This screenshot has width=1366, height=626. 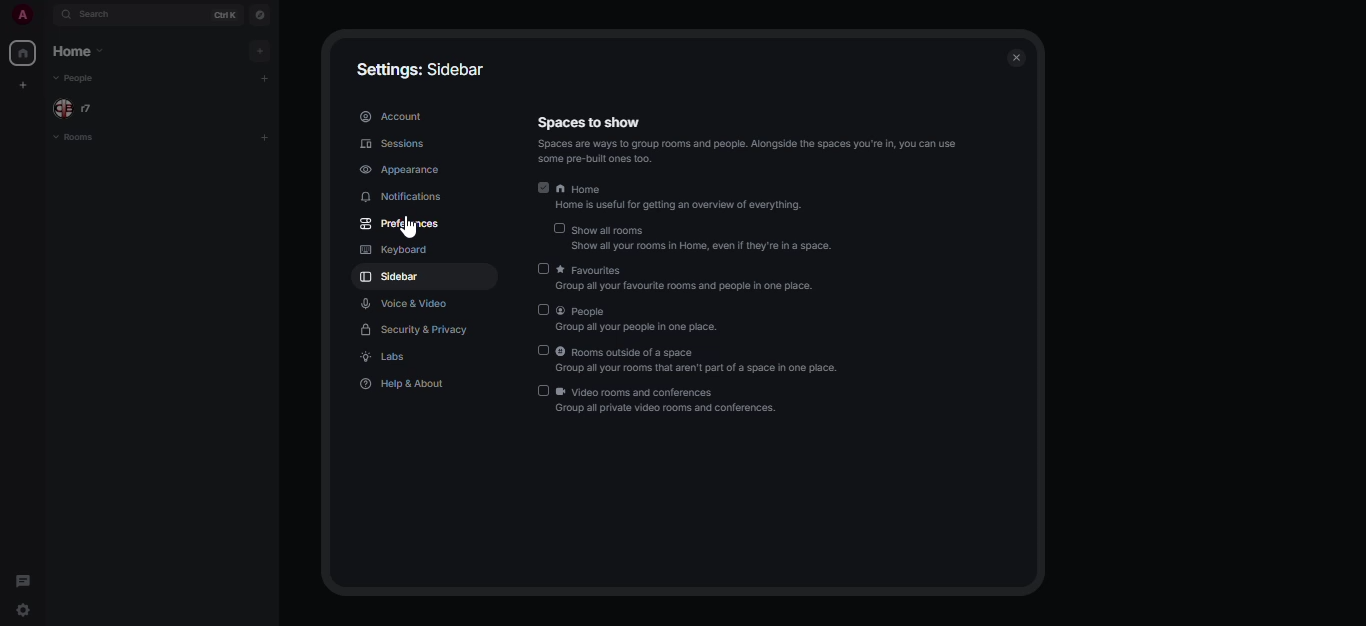 I want to click on sidebar, so click(x=391, y=278).